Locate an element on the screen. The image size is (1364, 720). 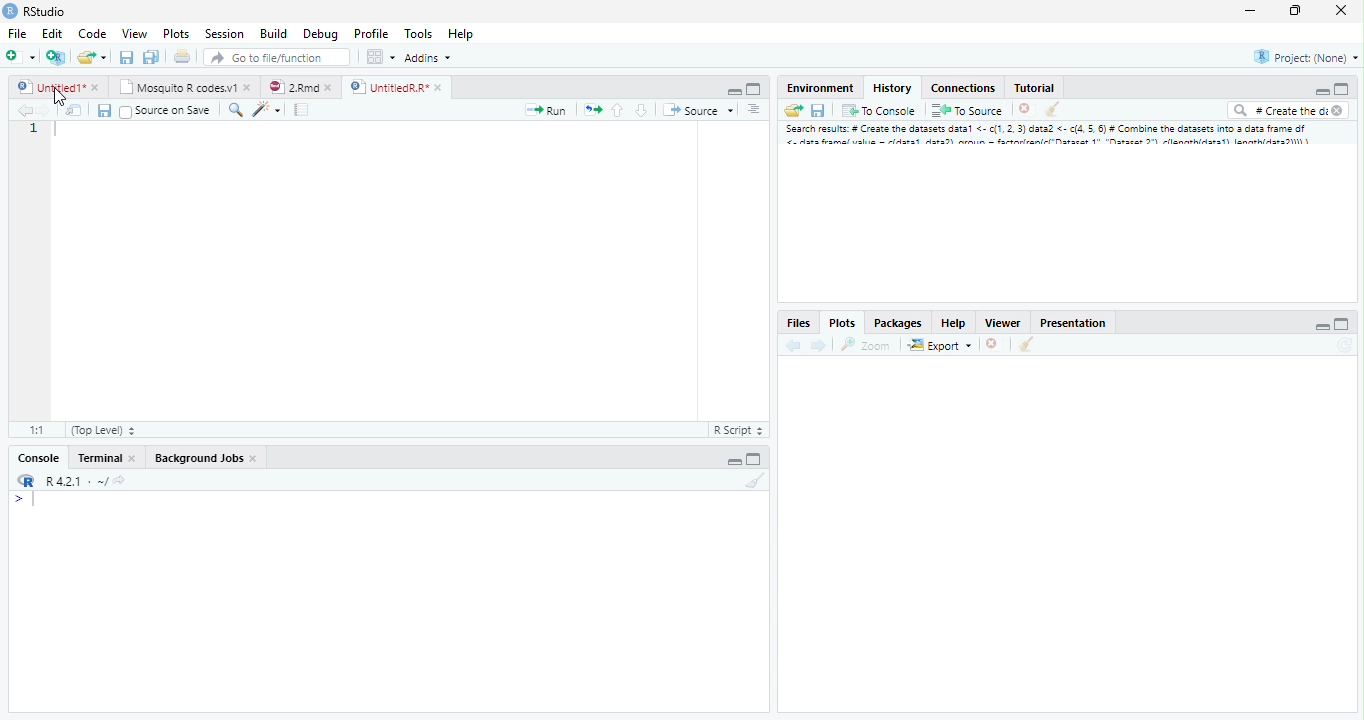
Back is located at coordinates (17, 113).